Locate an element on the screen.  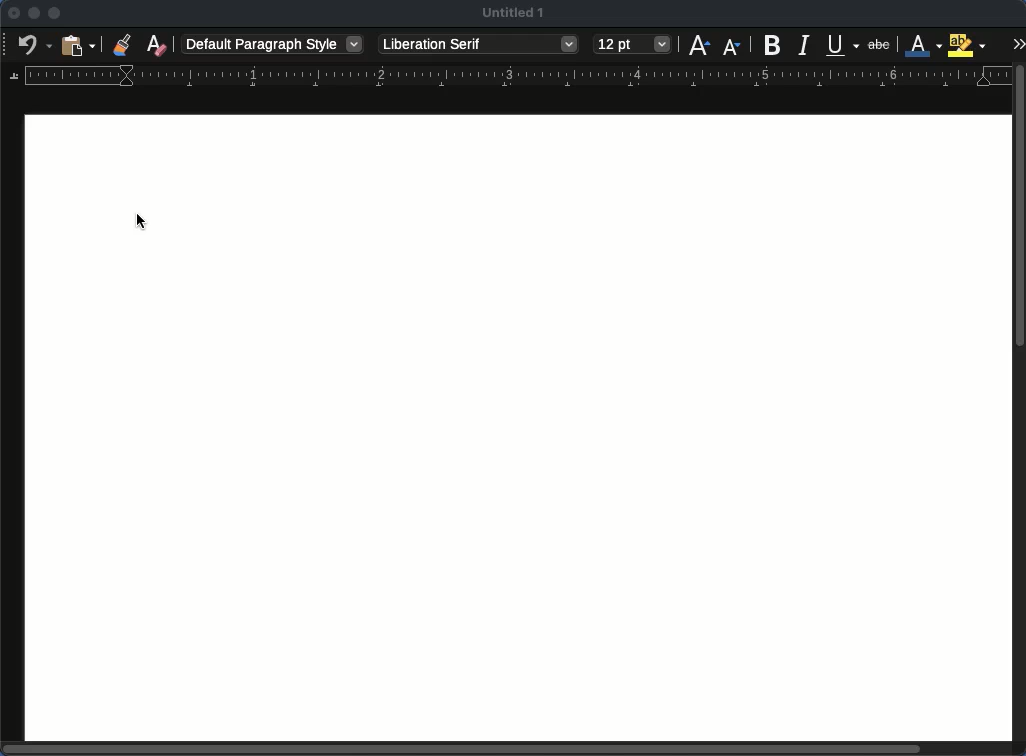
clear formatting is located at coordinates (158, 43).